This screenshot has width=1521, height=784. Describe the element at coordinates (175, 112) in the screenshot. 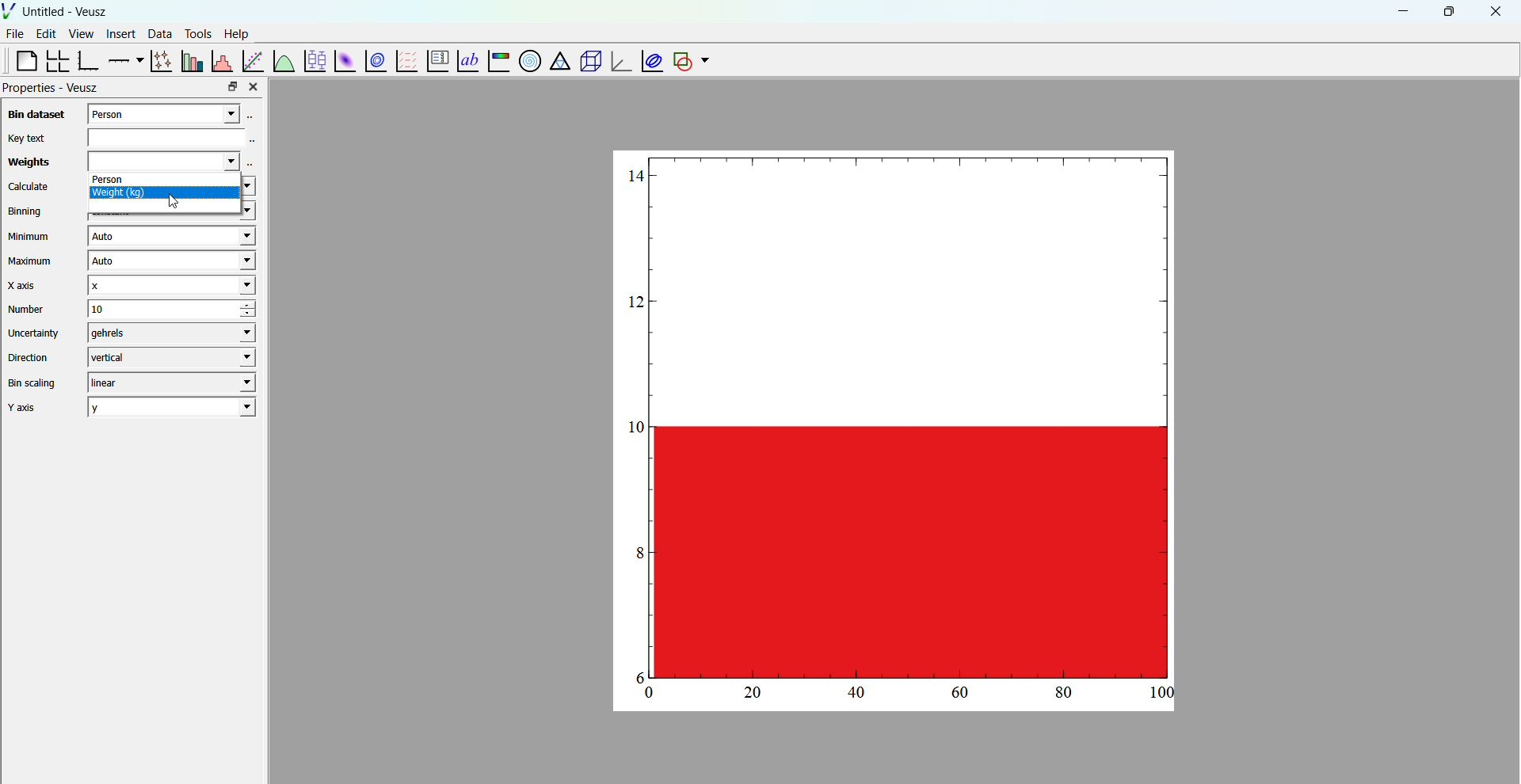

I see `"person" data selected` at that location.